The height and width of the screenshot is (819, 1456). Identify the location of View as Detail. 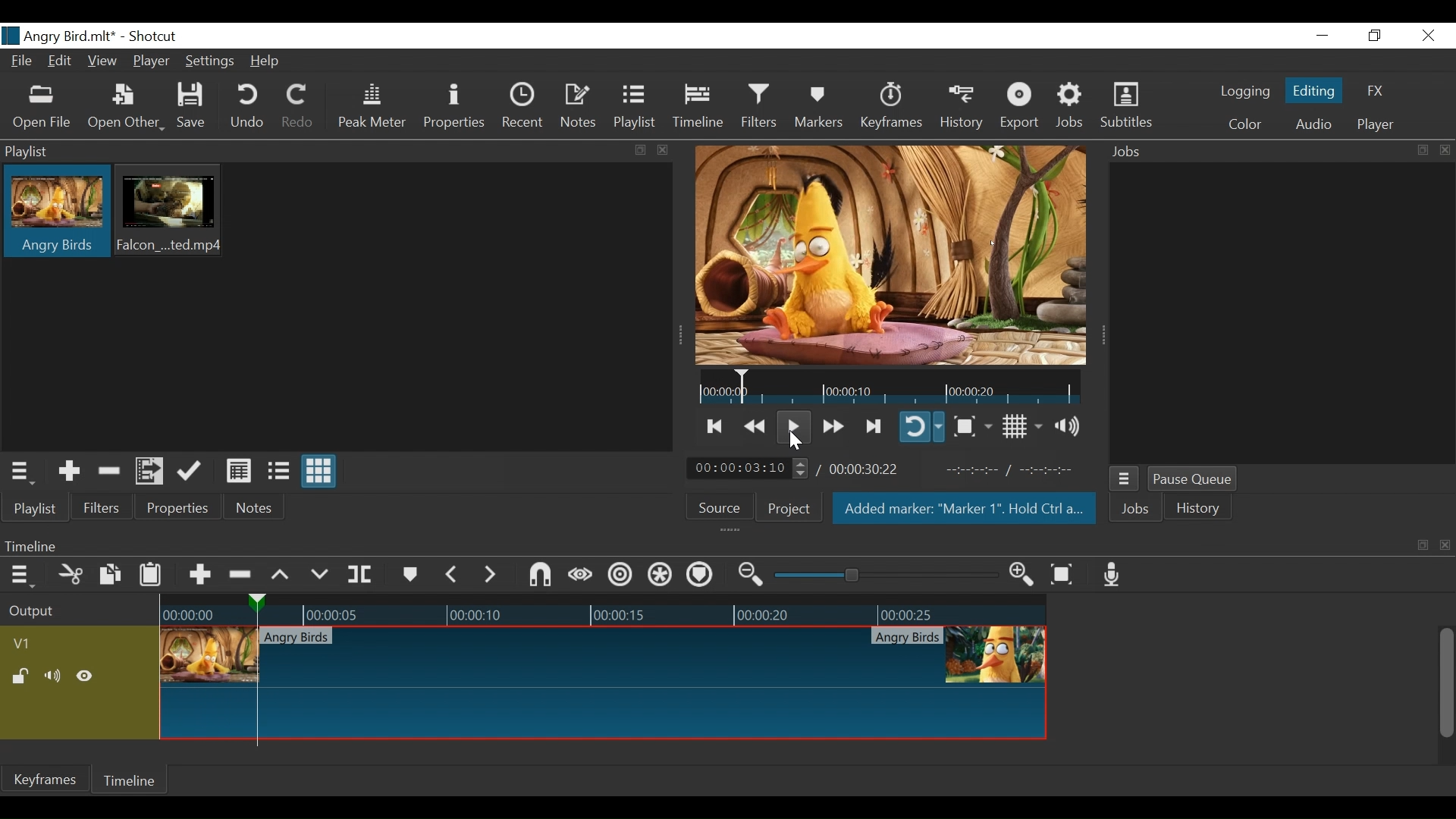
(238, 469).